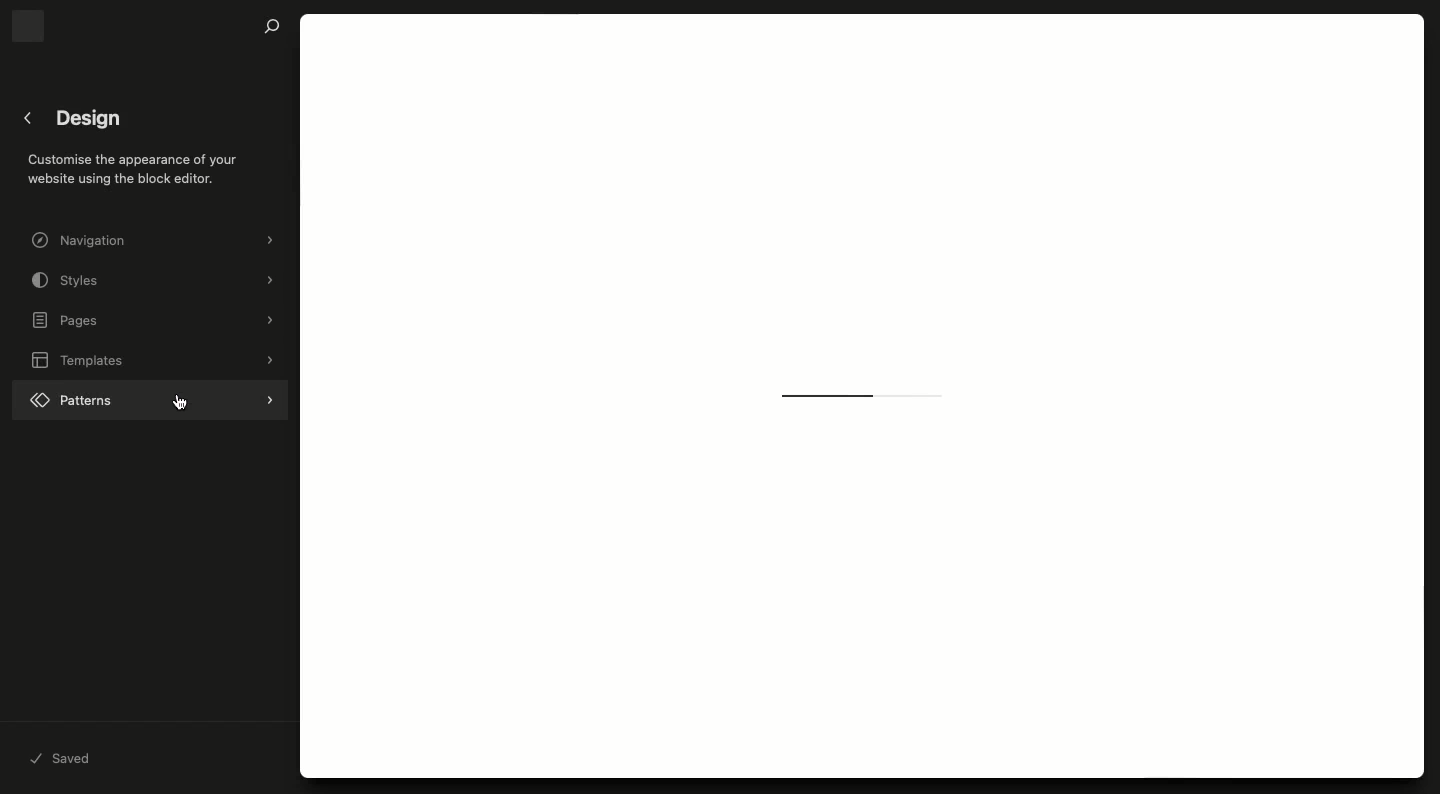  Describe the element at coordinates (90, 119) in the screenshot. I see `Design` at that location.